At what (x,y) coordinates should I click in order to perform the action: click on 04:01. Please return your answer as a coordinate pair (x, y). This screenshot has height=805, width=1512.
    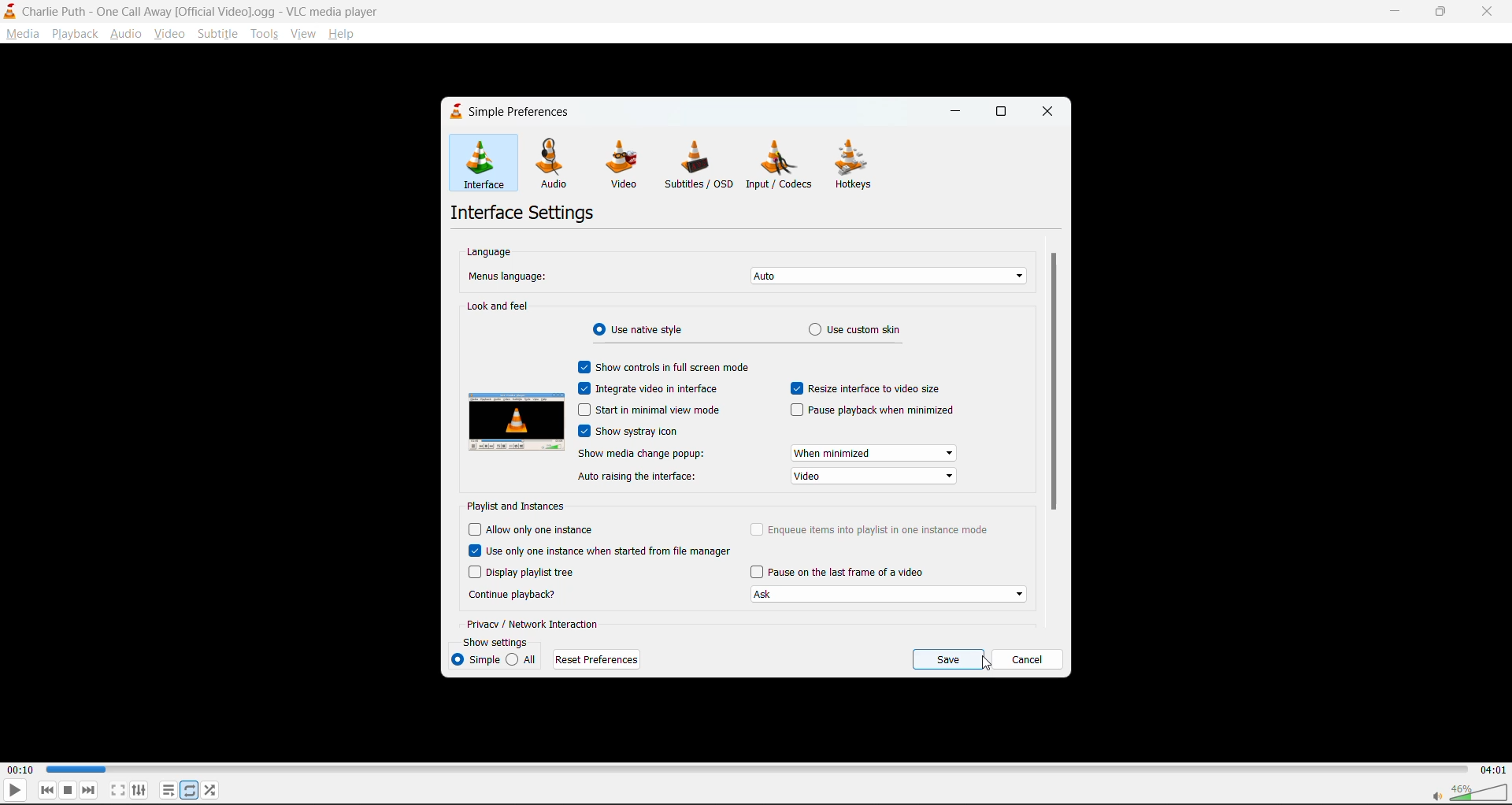
    Looking at the image, I should click on (1493, 770).